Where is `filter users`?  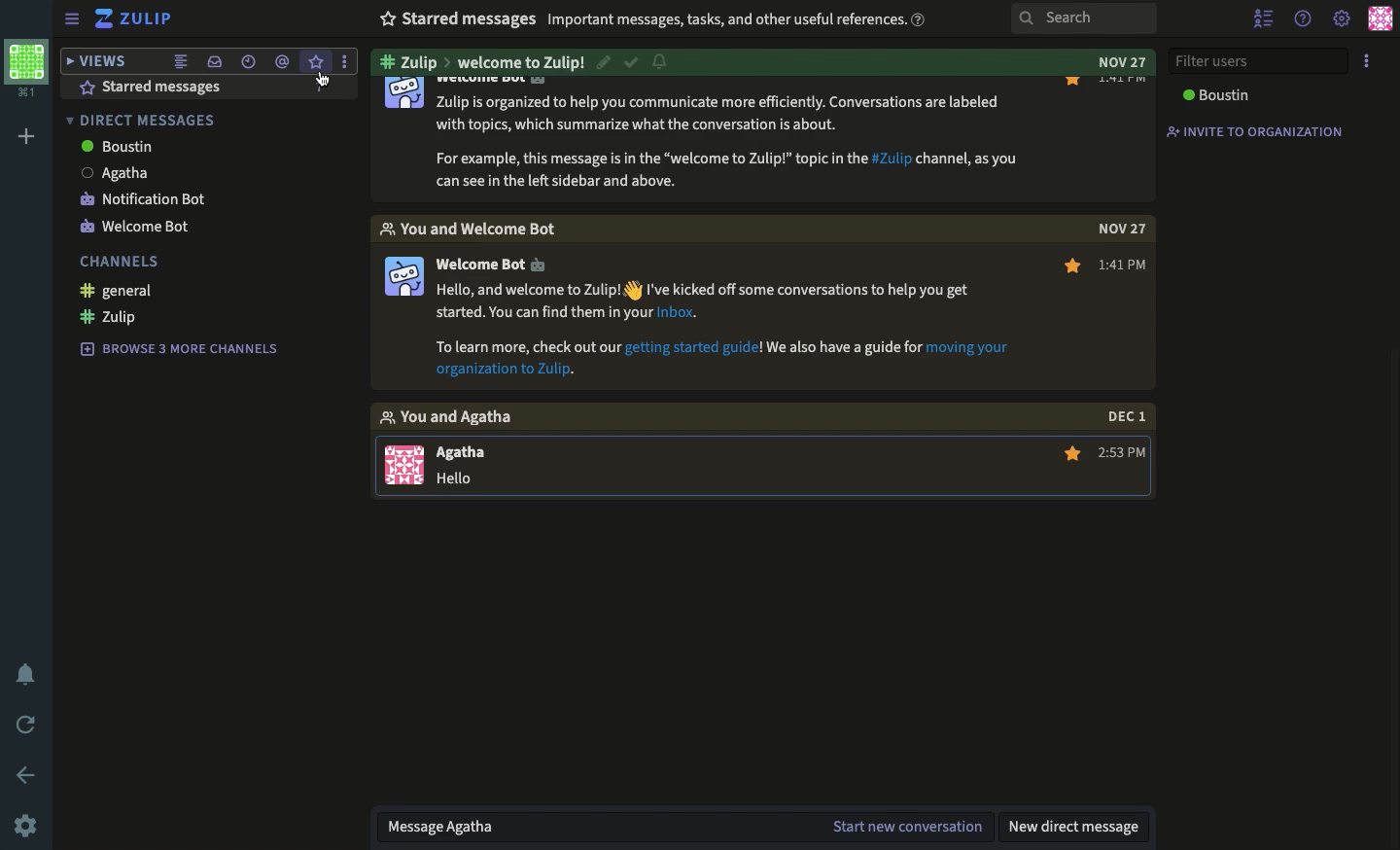 filter users is located at coordinates (1261, 61).